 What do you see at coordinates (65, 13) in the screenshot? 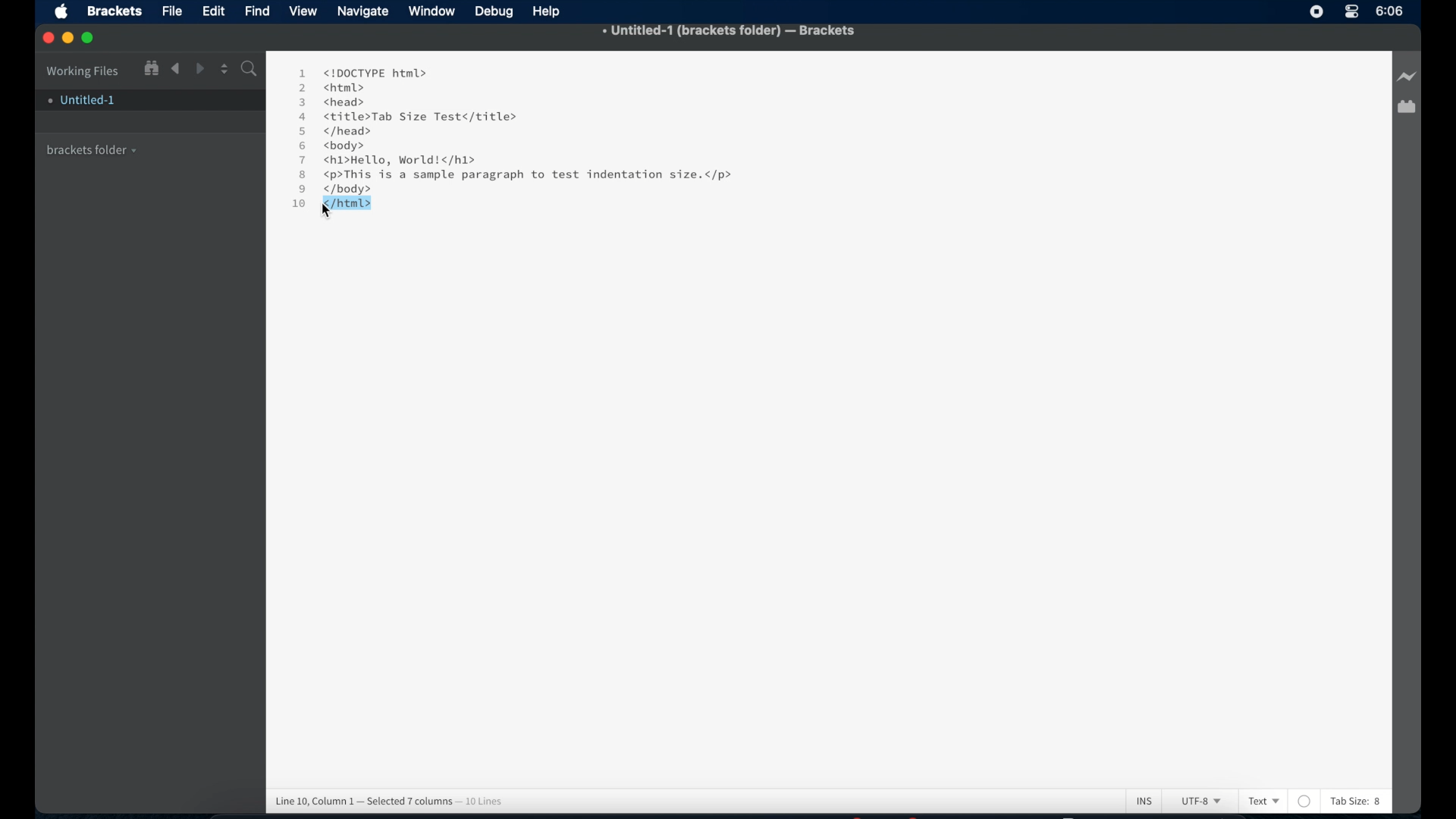
I see `Icon` at bounding box center [65, 13].